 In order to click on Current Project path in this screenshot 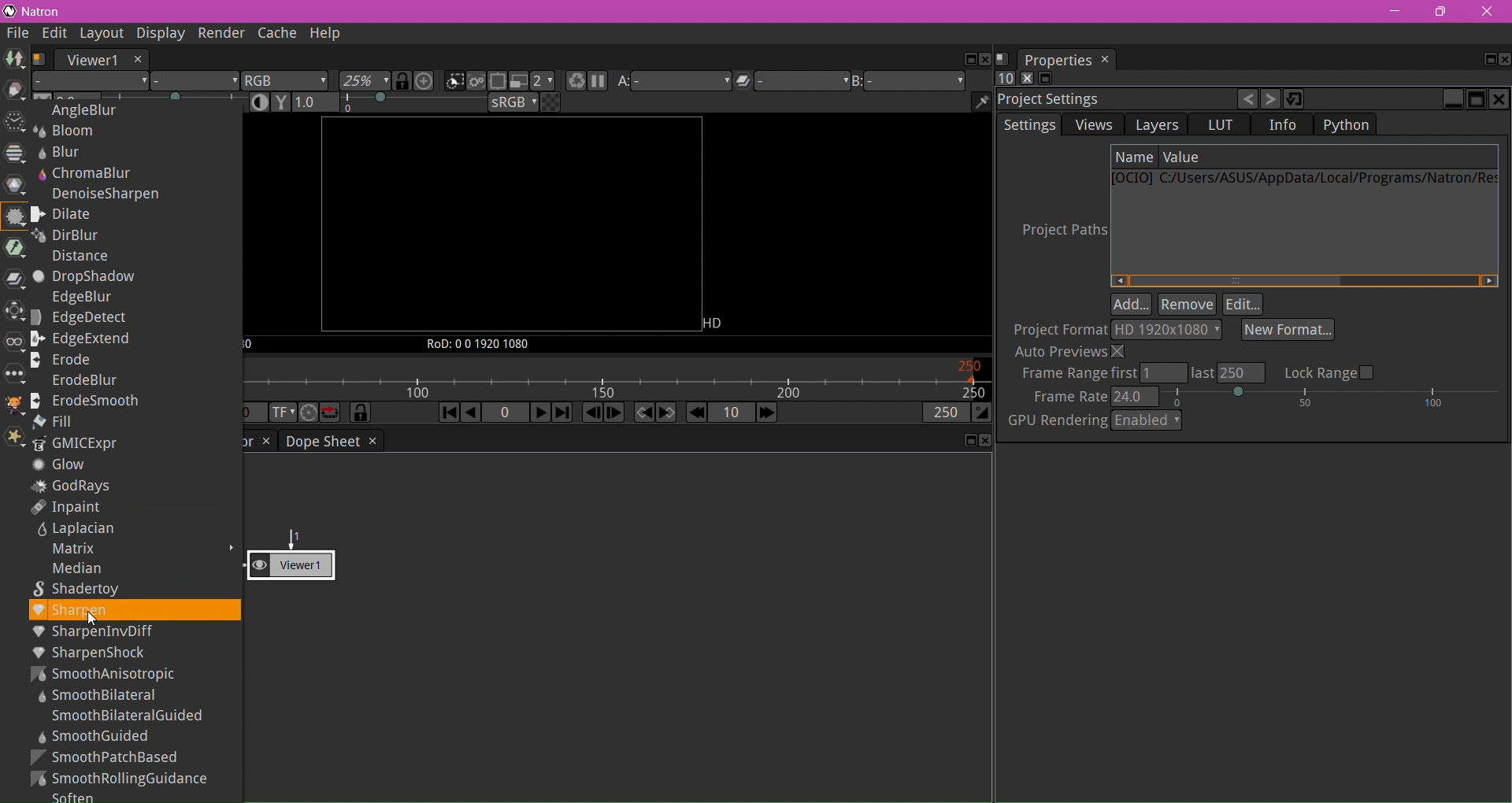, I will do `click(1303, 180)`.